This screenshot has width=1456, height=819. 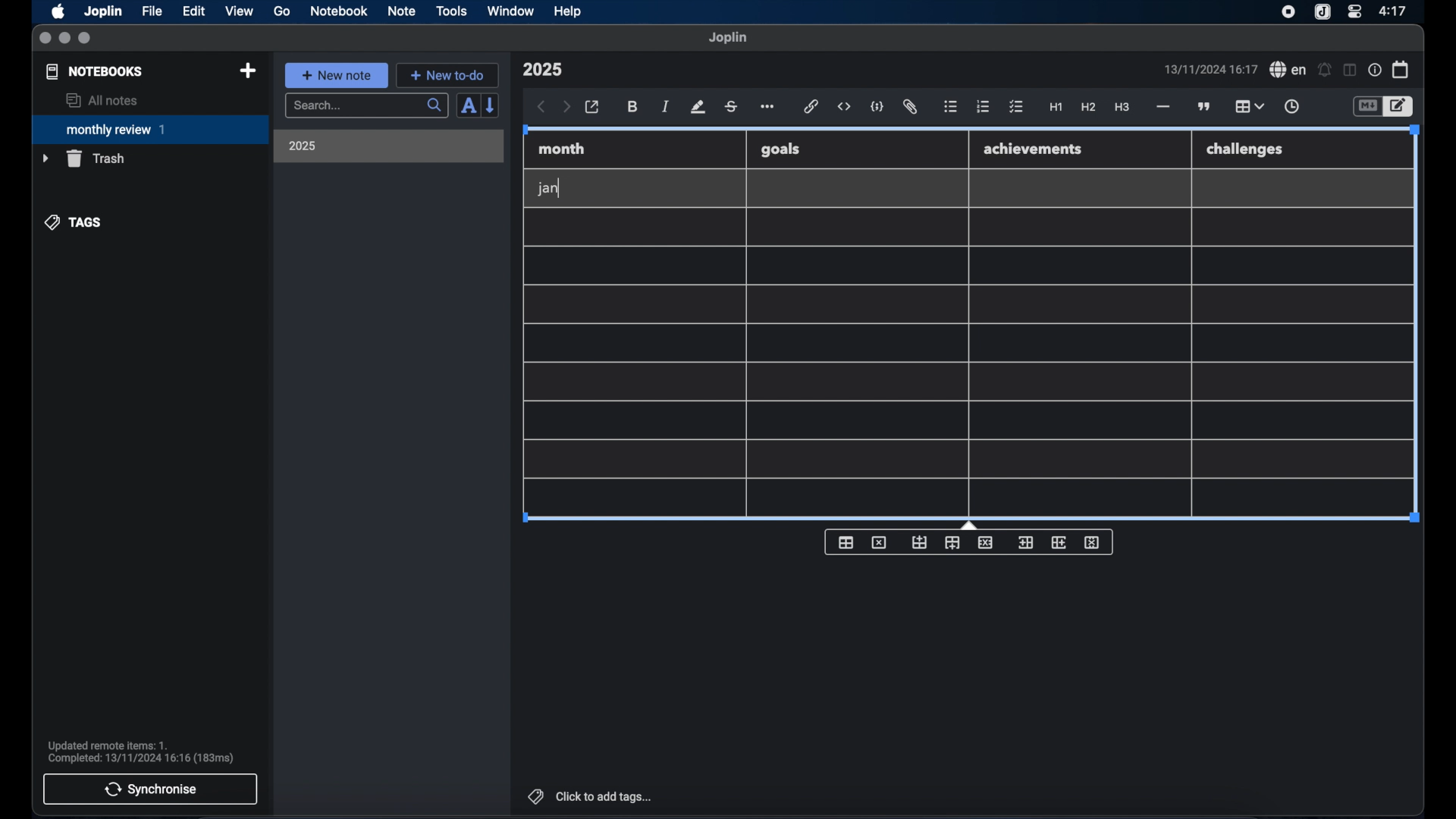 What do you see at coordinates (952, 543) in the screenshot?
I see `insert row after` at bounding box center [952, 543].